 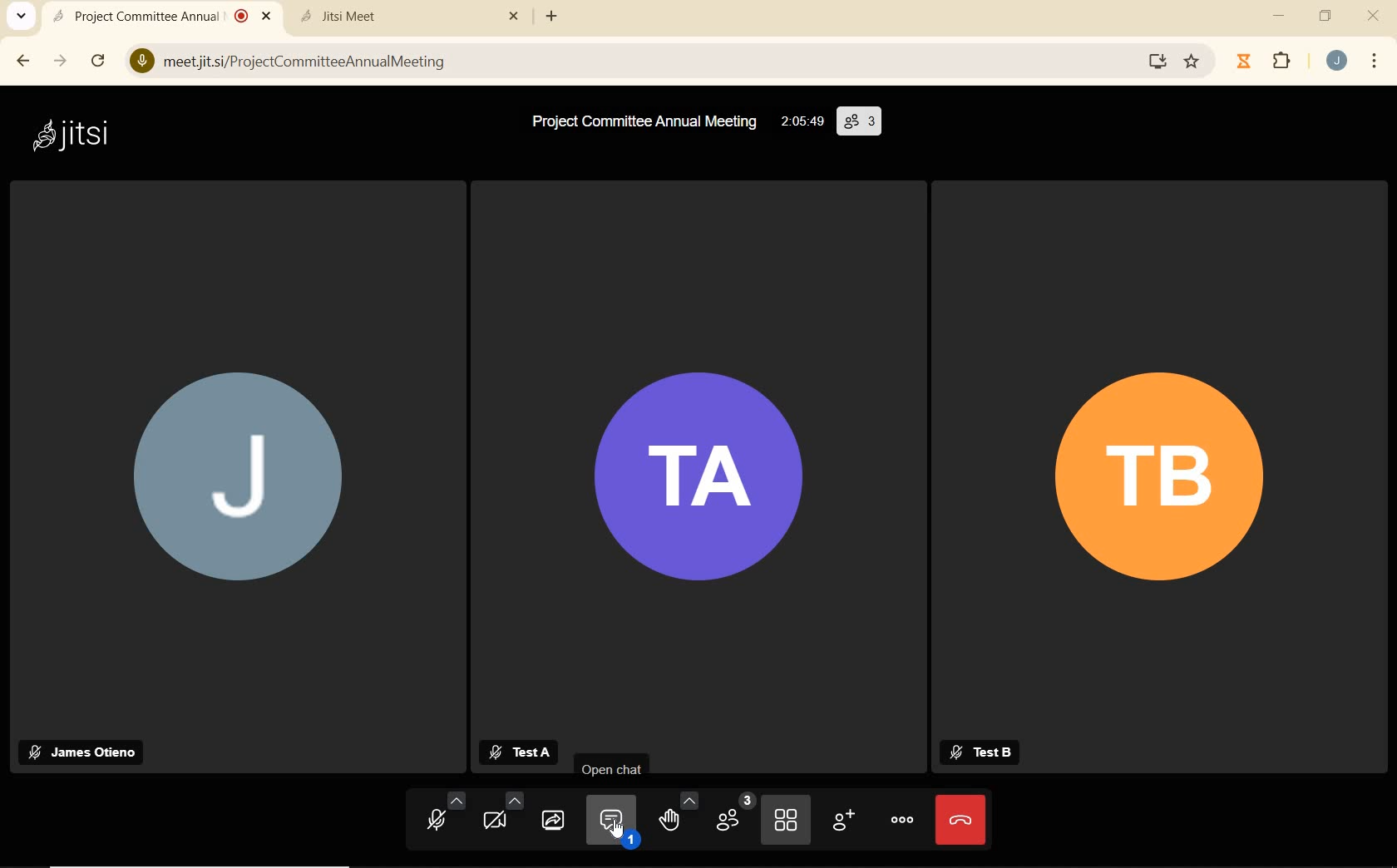 I want to click on Project Committee Annual Meeting, so click(x=633, y=122).